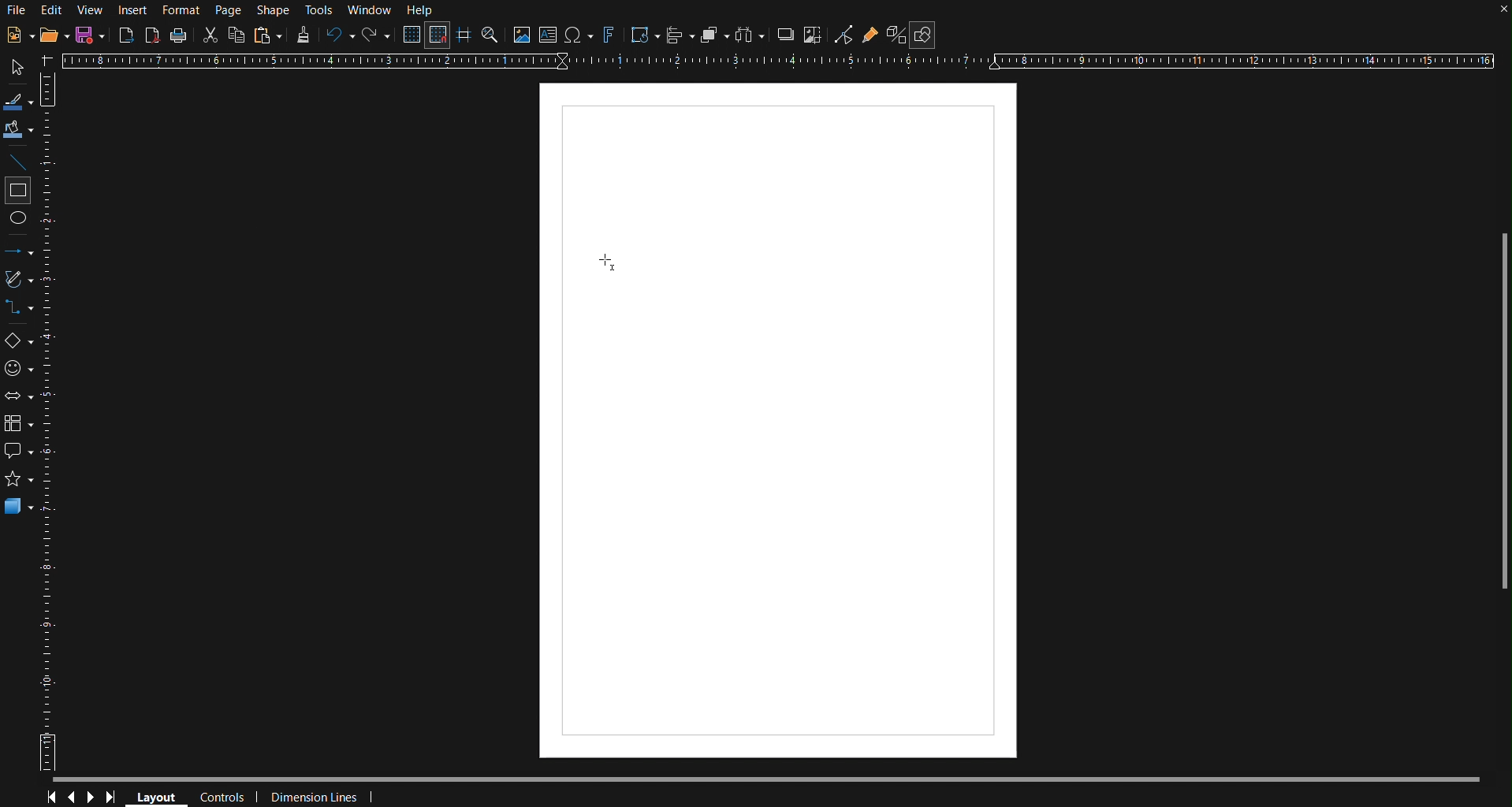  I want to click on Last, so click(115, 798).